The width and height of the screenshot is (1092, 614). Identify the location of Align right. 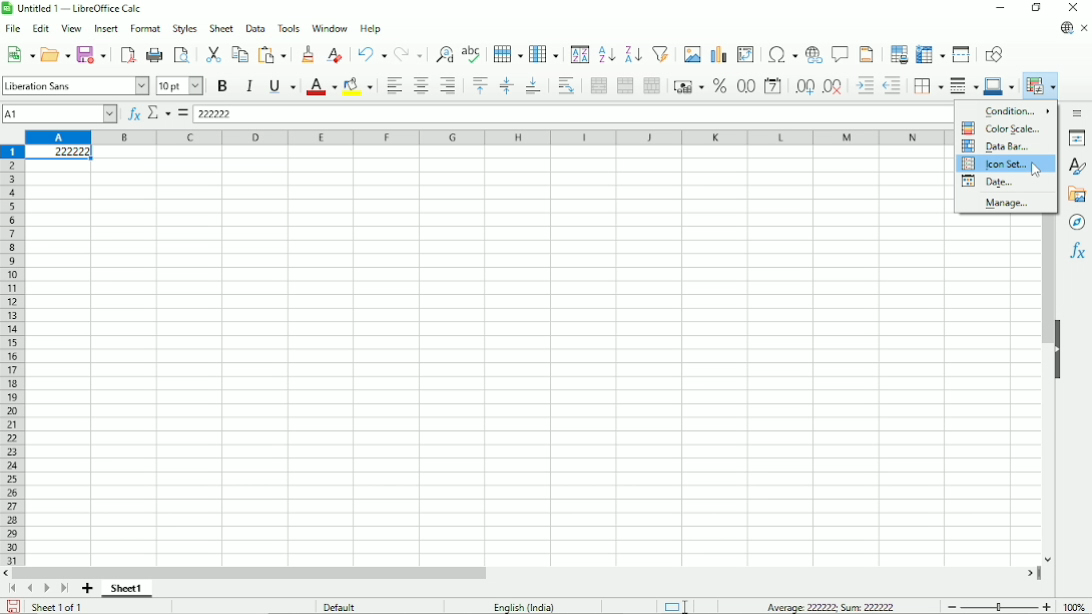
(451, 86).